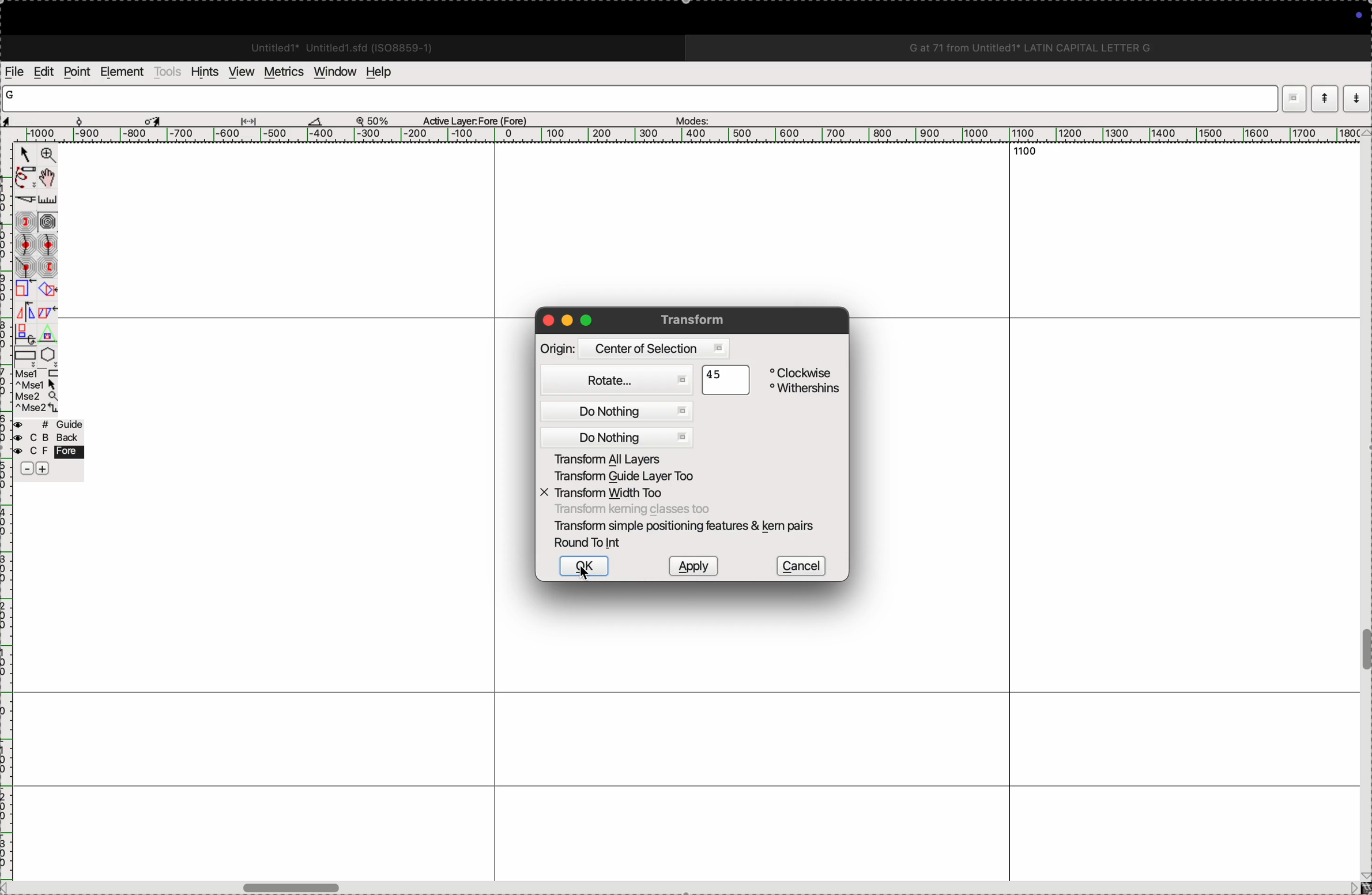 Image resolution: width=1372 pixels, height=895 pixels. What do you see at coordinates (47, 244) in the screenshot?
I see `sharp curve` at bounding box center [47, 244].